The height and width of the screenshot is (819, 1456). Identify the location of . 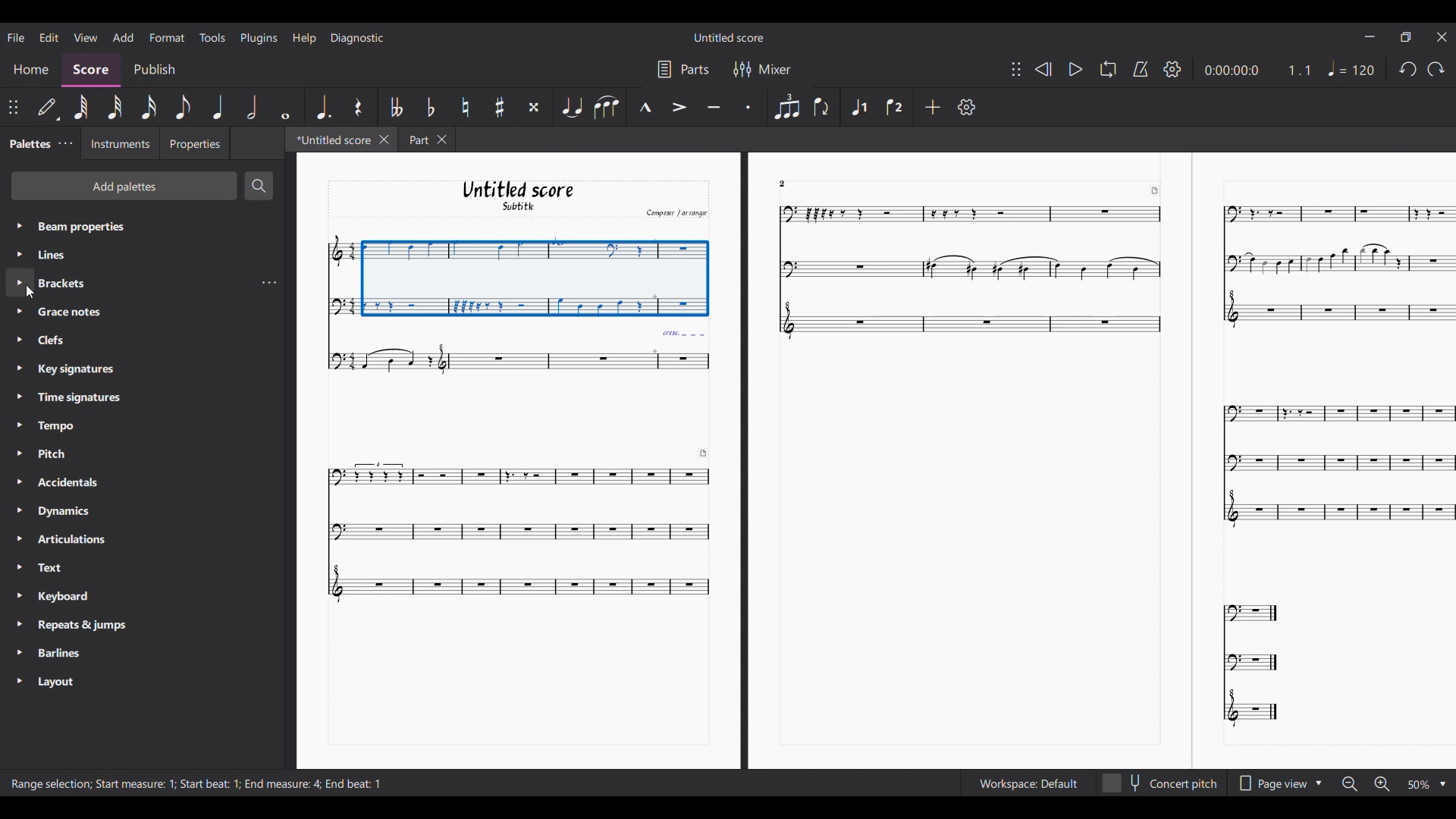
(16, 340).